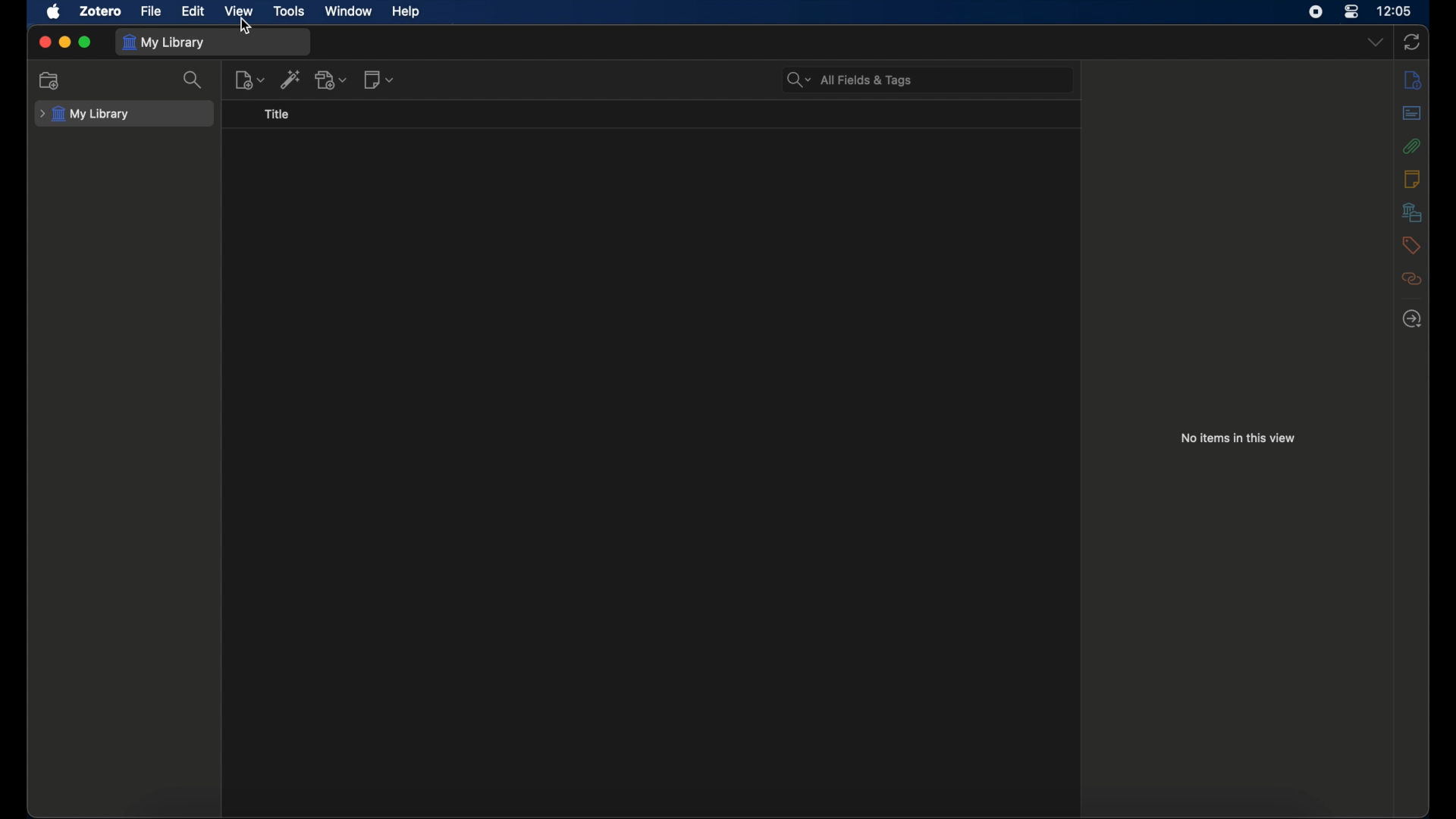 Image resolution: width=1456 pixels, height=819 pixels. Describe the element at coordinates (44, 42) in the screenshot. I see `close` at that location.